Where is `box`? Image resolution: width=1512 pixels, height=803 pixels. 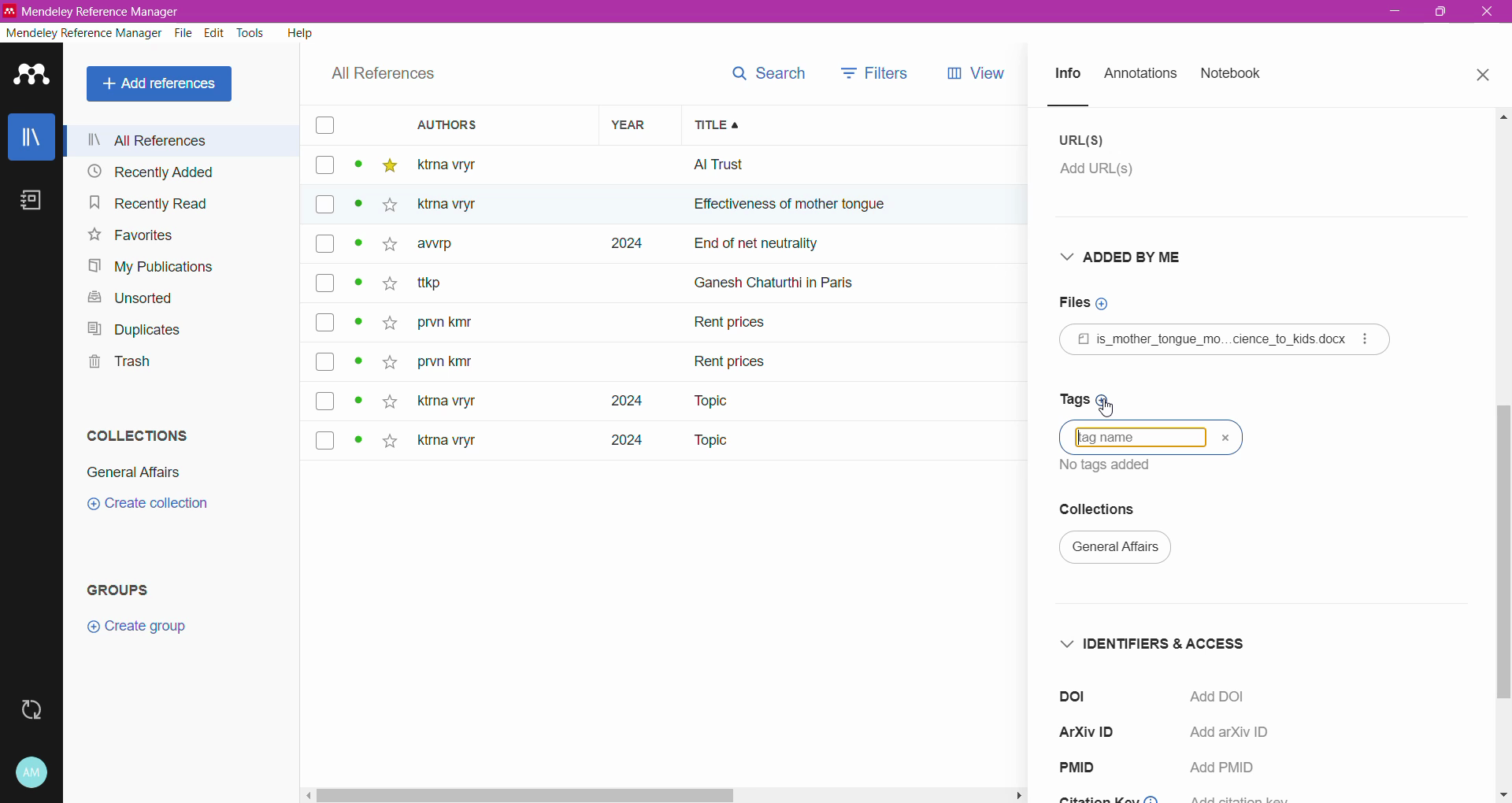
box is located at coordinates (323, 126).